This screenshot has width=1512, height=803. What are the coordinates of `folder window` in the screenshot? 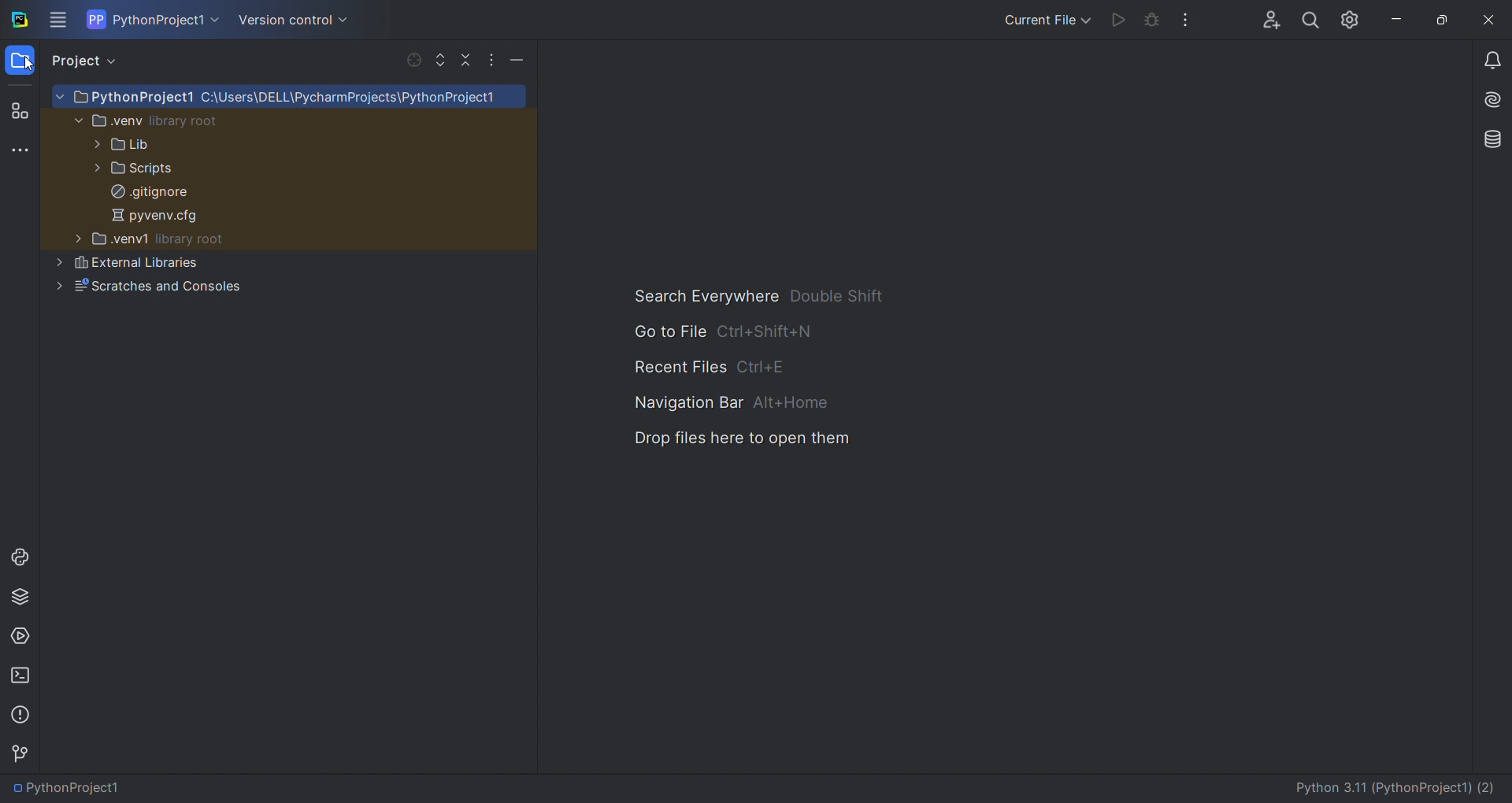 It's located at (24, 60).